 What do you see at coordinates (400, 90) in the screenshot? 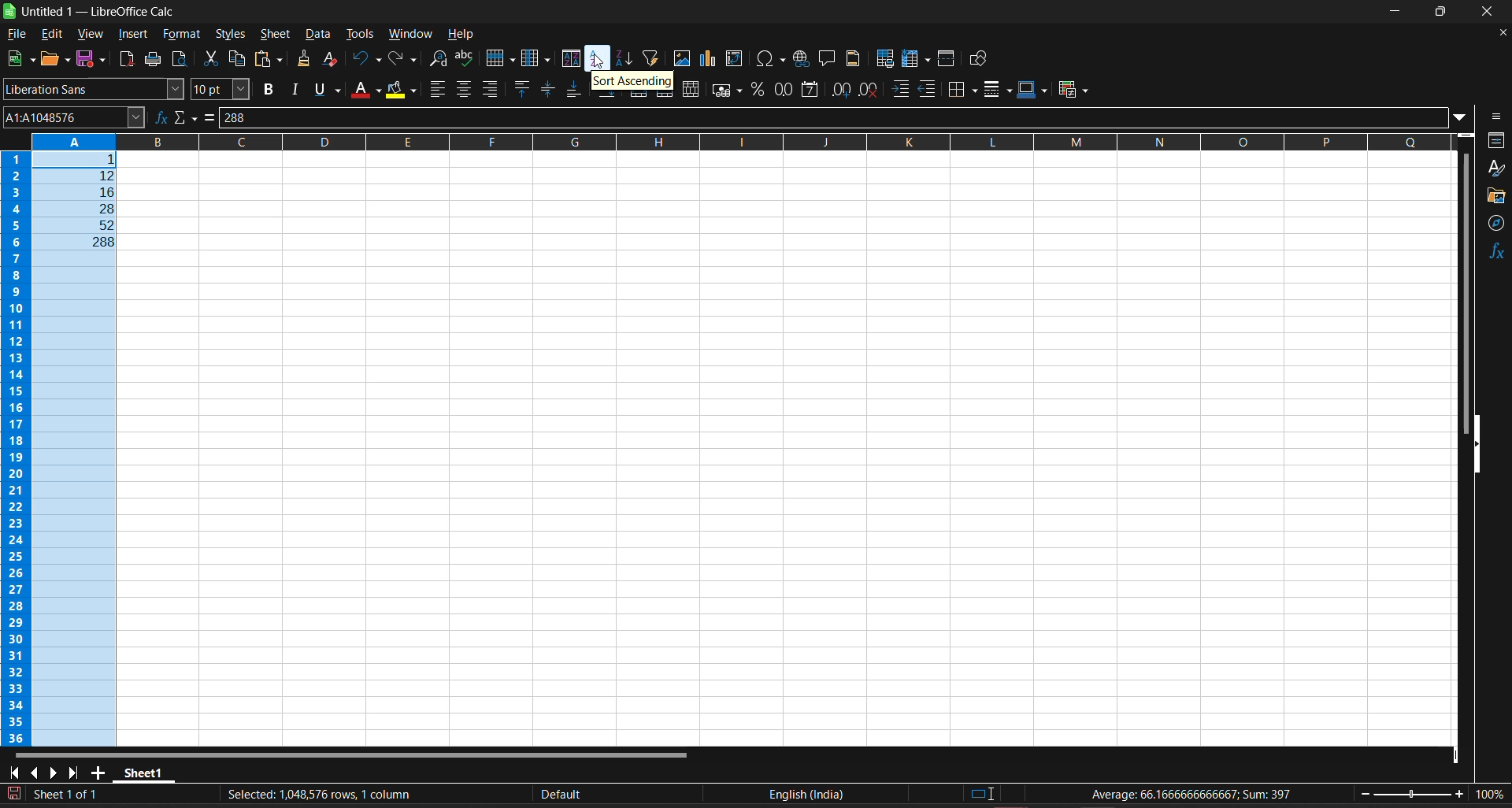
I see `background color` at bounding box center [400, 90].